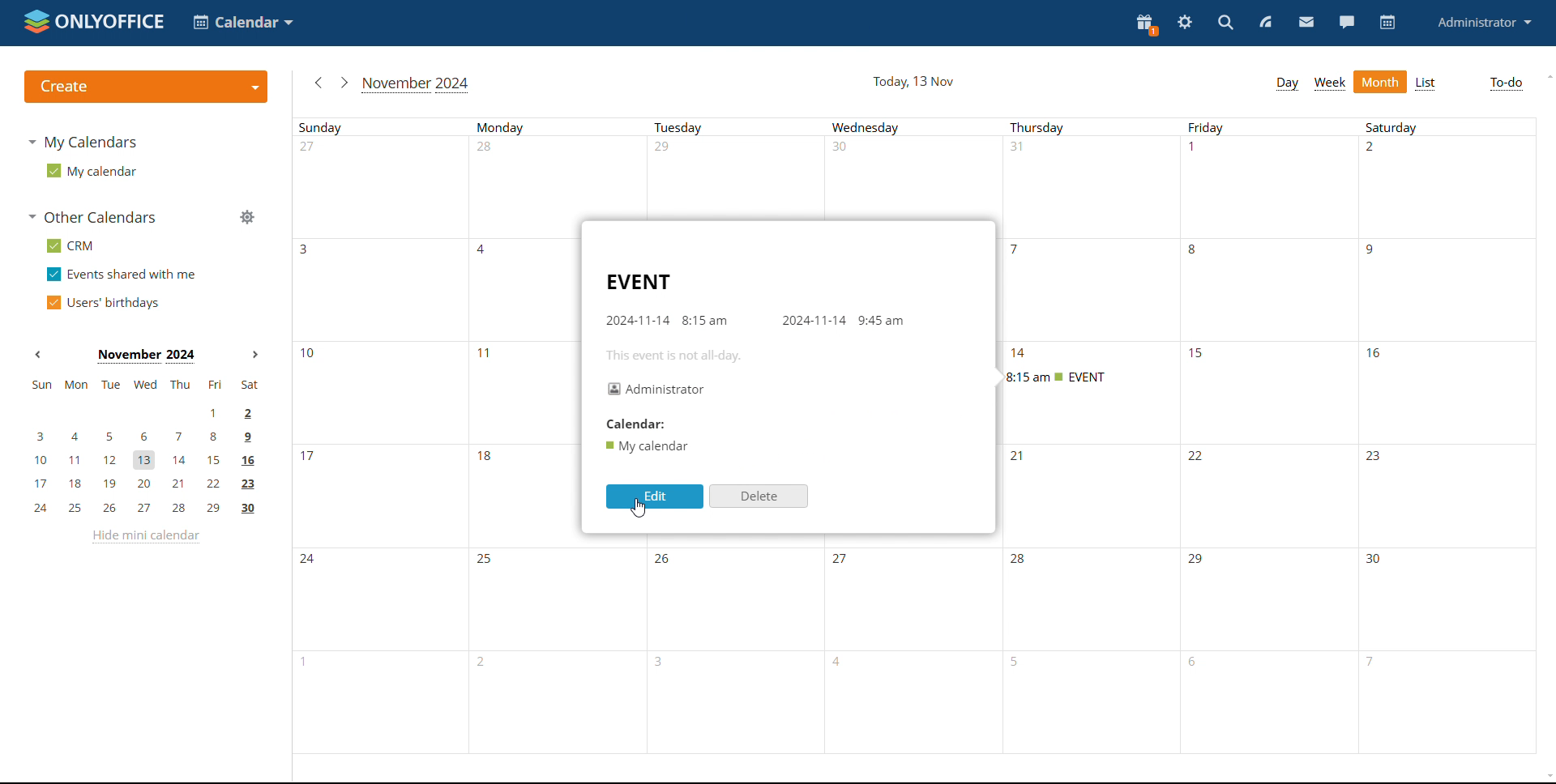 The image size is (1556, 784). Describe the element at coordinates (1266, 496) in the screenshot. I see `unallocated time slots` at that location.